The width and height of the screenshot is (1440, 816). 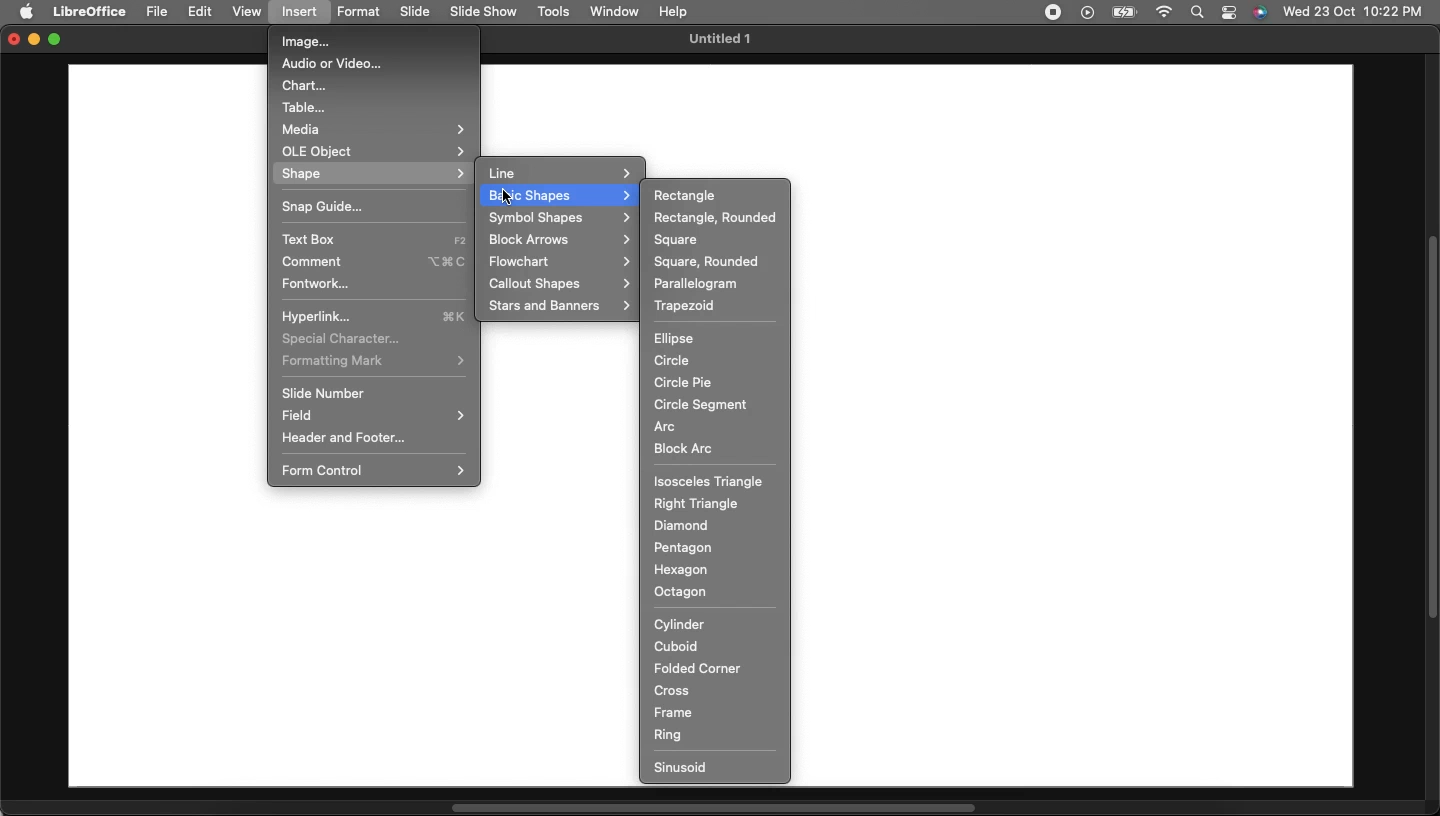 What do you see at coordinates (674, 339) in the screenshot?
I see `Ellipse` at bounding box center [674, 339].